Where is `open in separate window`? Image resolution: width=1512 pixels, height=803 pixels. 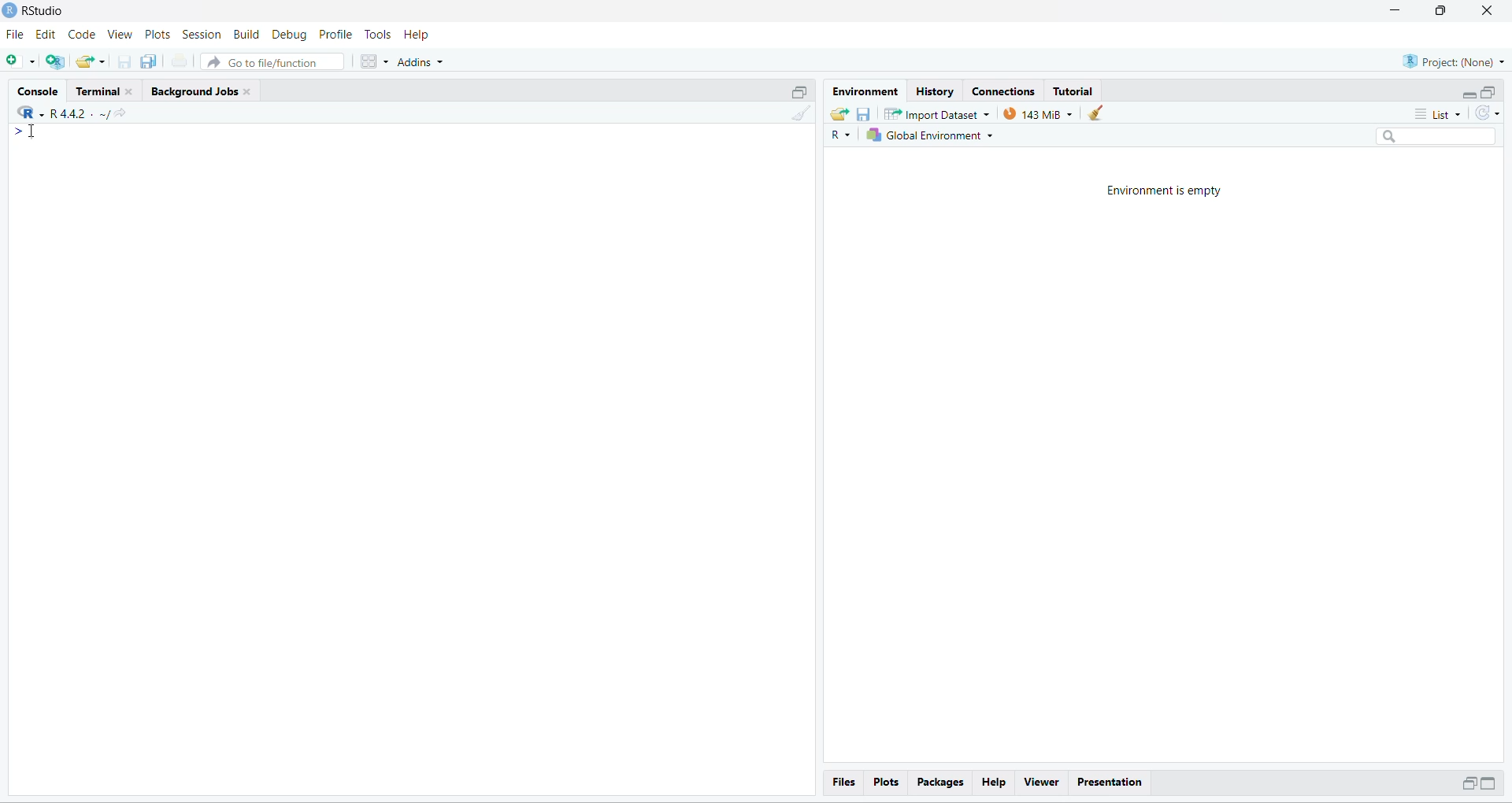 open in separate window is located at coordinates (1490, 92).